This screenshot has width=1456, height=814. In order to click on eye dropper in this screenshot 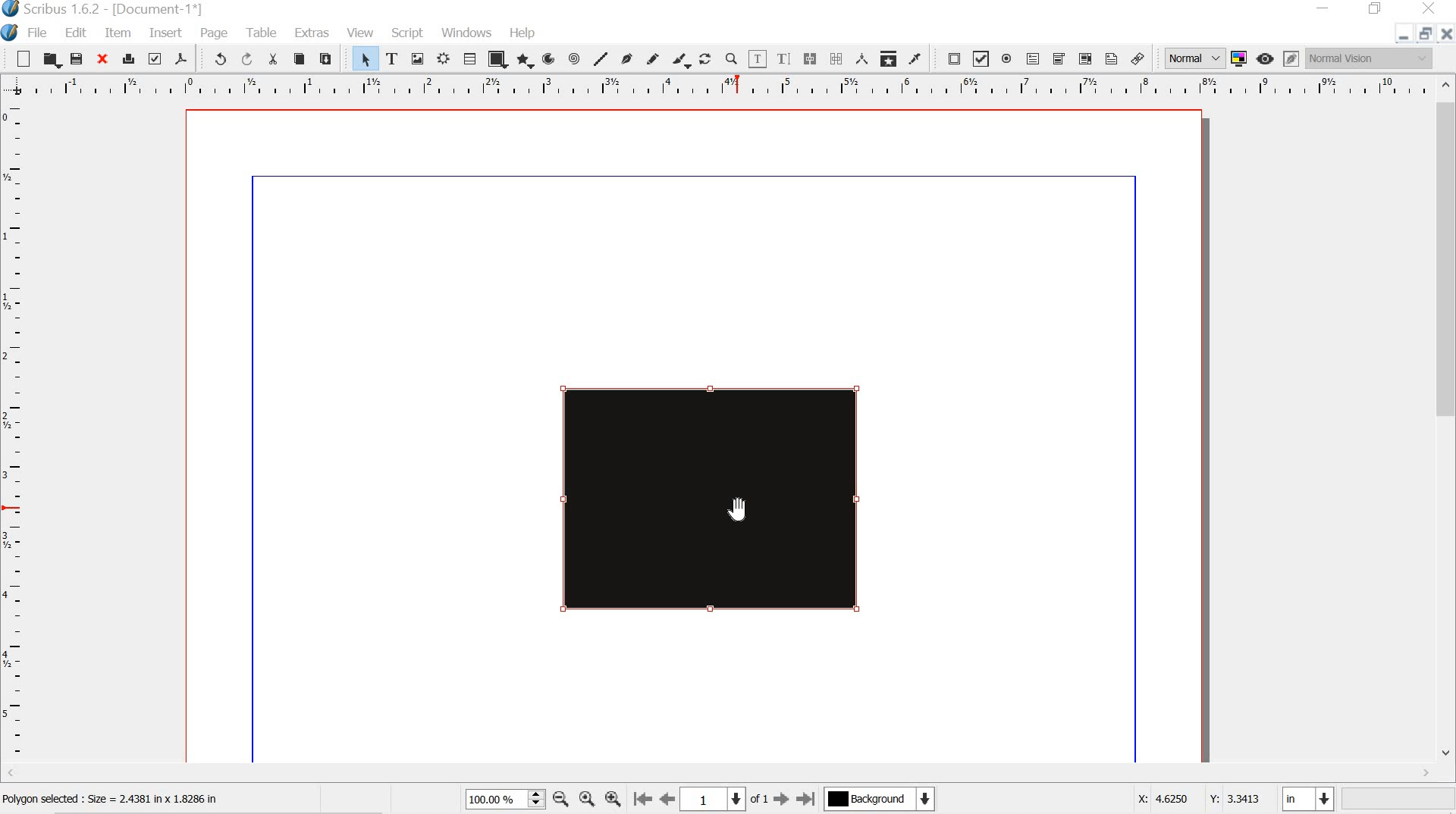, I will do `click(915, 58)`.